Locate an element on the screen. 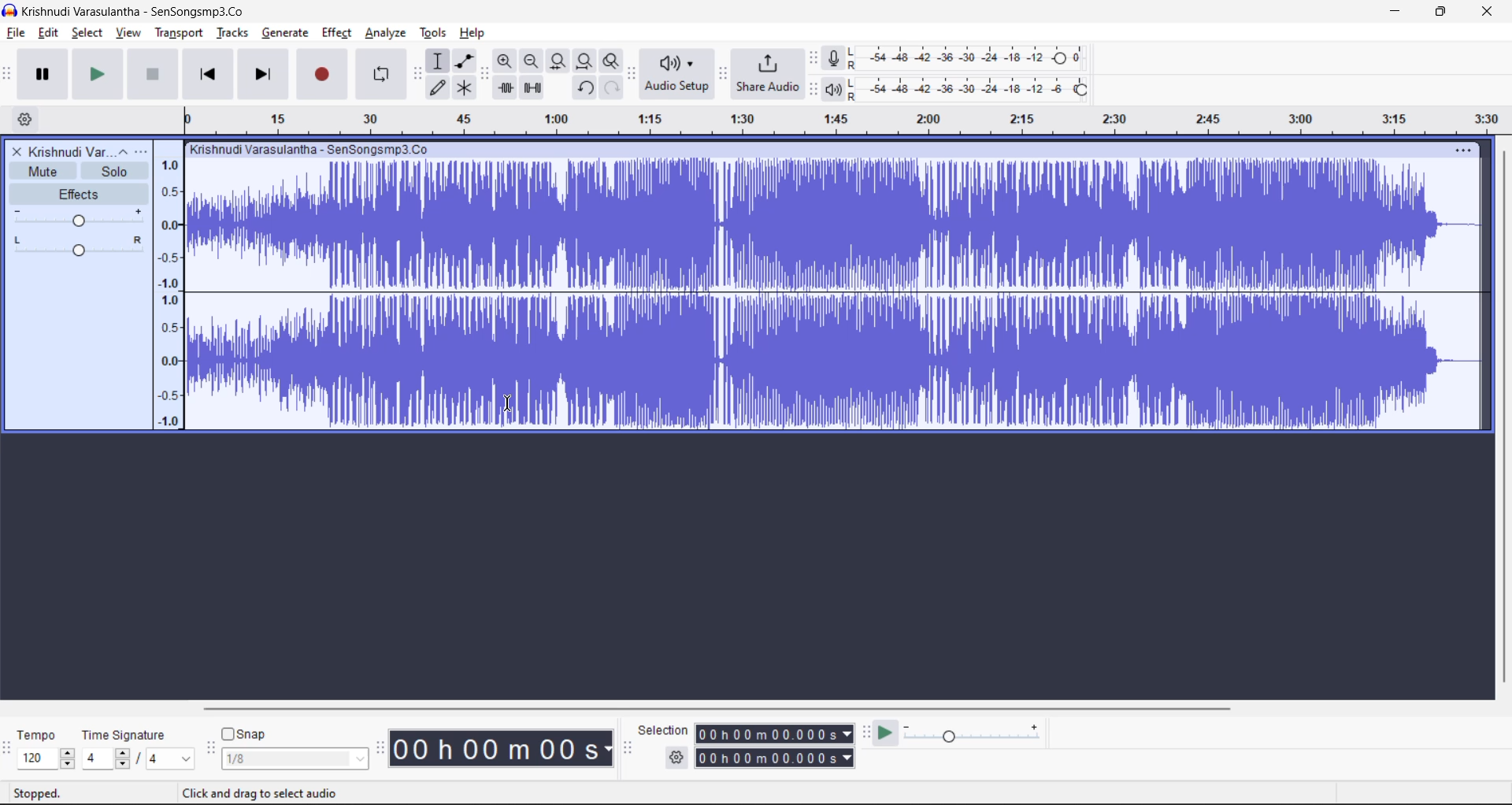  tools toolbar is located at coordinates (417, 75).